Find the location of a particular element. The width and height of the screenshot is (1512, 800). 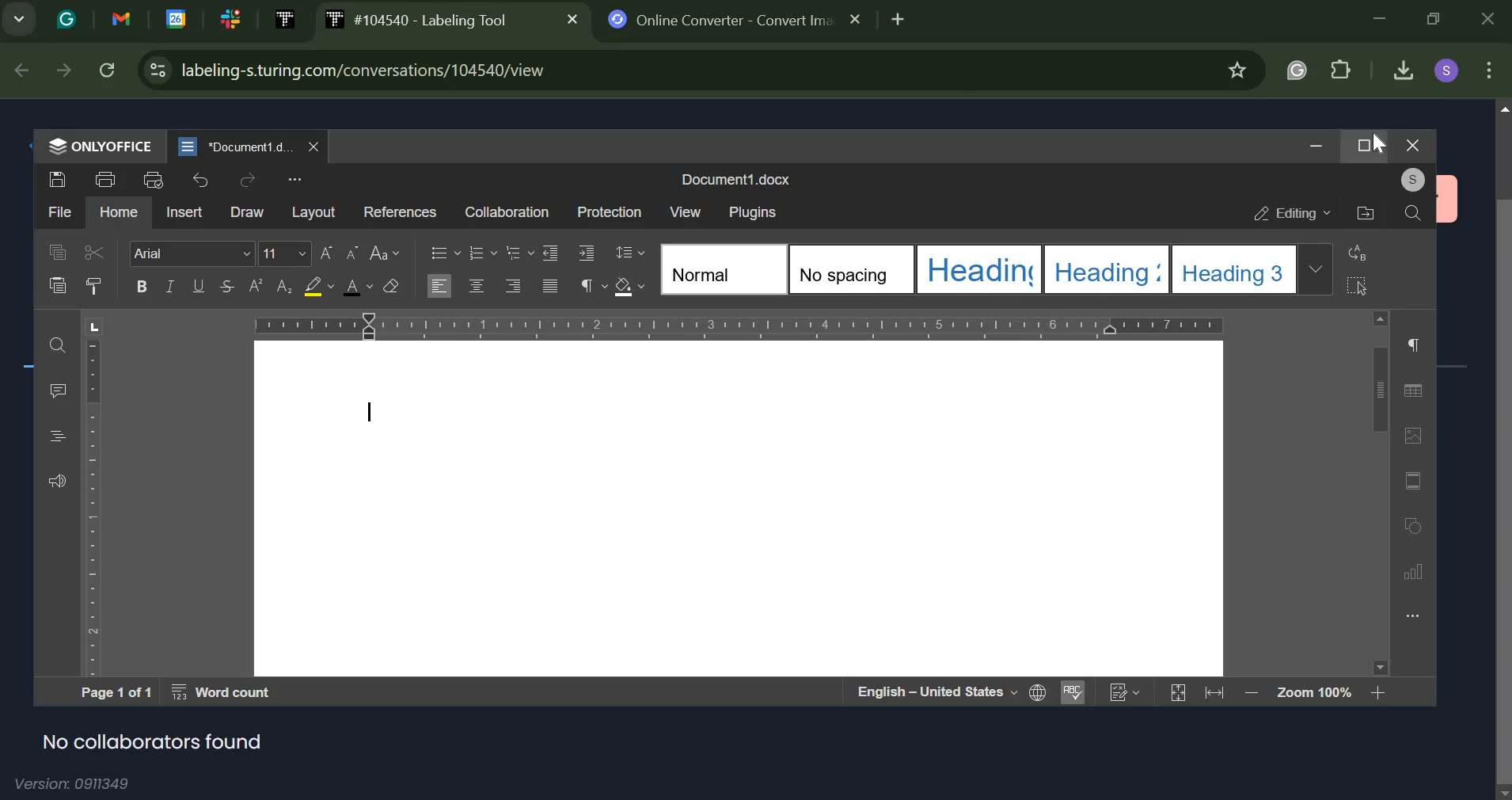

Maximise  is located at coordinates (1365, 145).